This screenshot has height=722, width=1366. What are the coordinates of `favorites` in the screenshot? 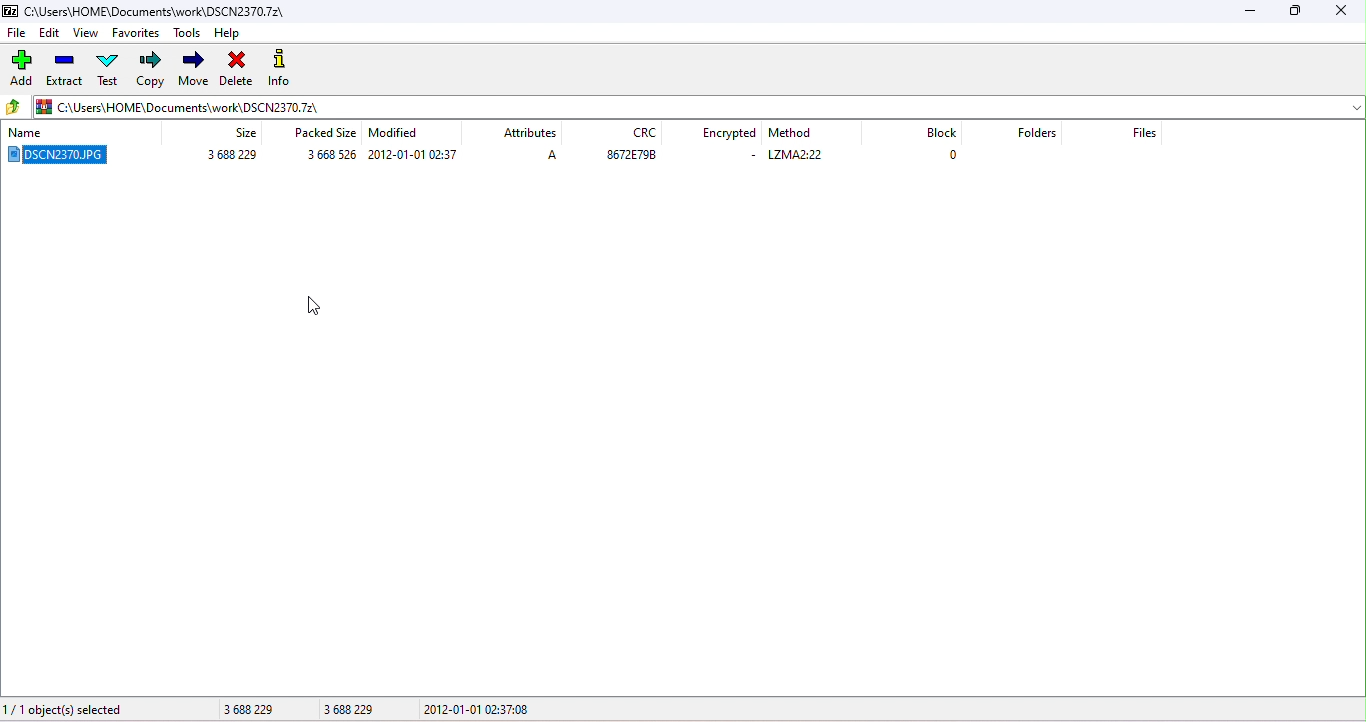 It's located at (137, 33).